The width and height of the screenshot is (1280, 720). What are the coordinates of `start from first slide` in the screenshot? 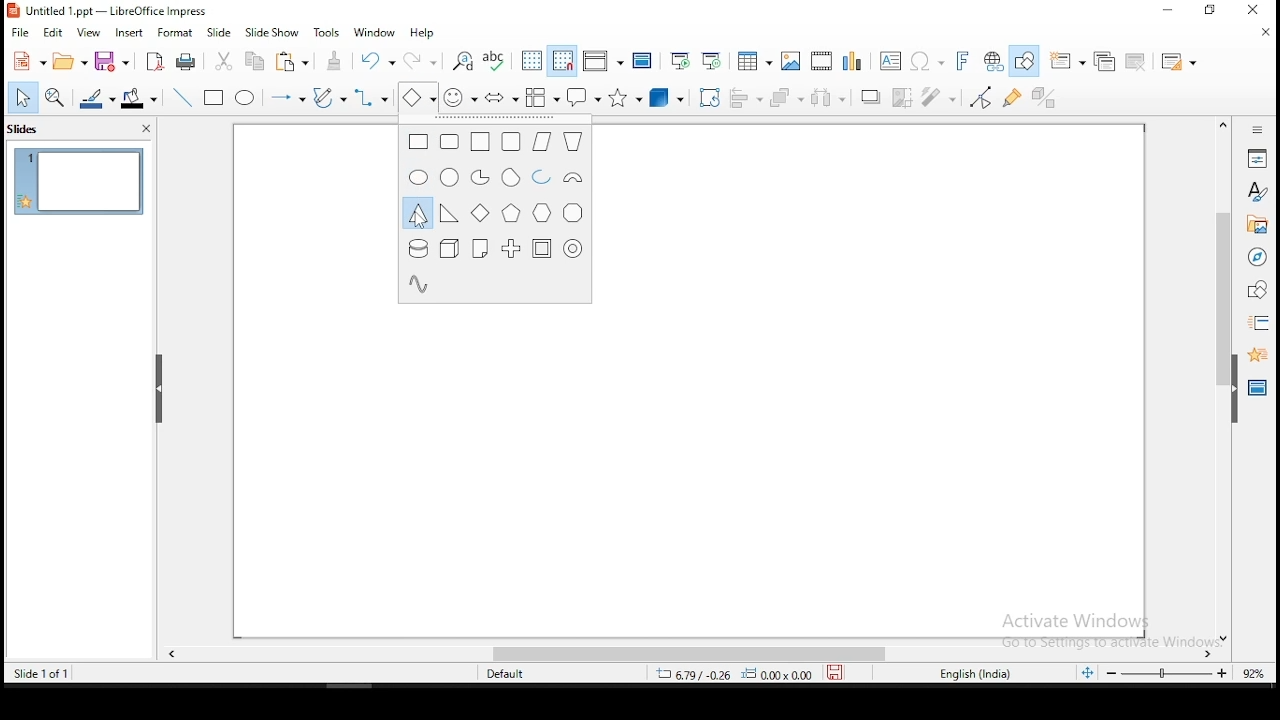 It's located at (680, 60).